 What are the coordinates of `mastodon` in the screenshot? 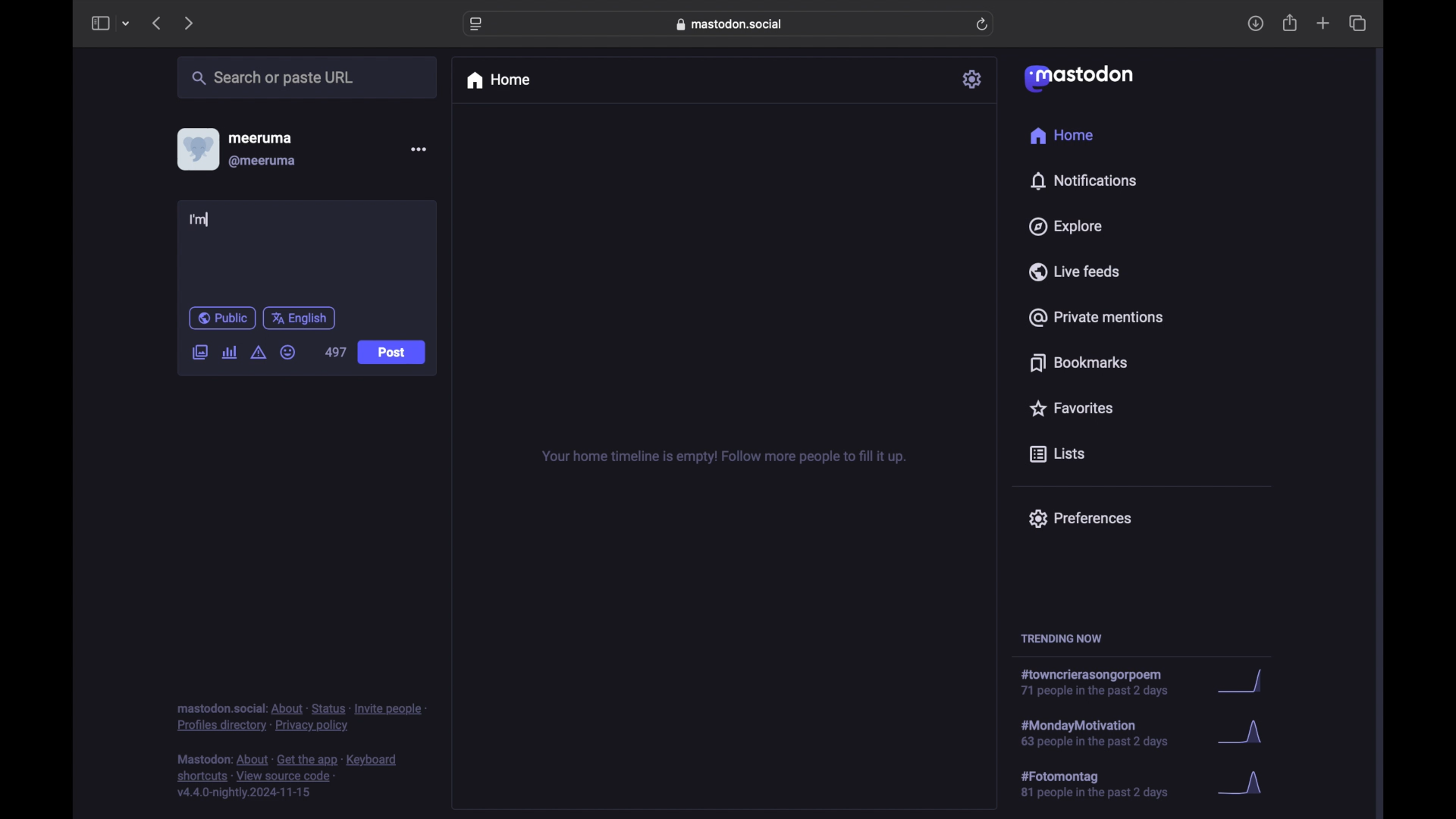 It's located at (1079, 79).